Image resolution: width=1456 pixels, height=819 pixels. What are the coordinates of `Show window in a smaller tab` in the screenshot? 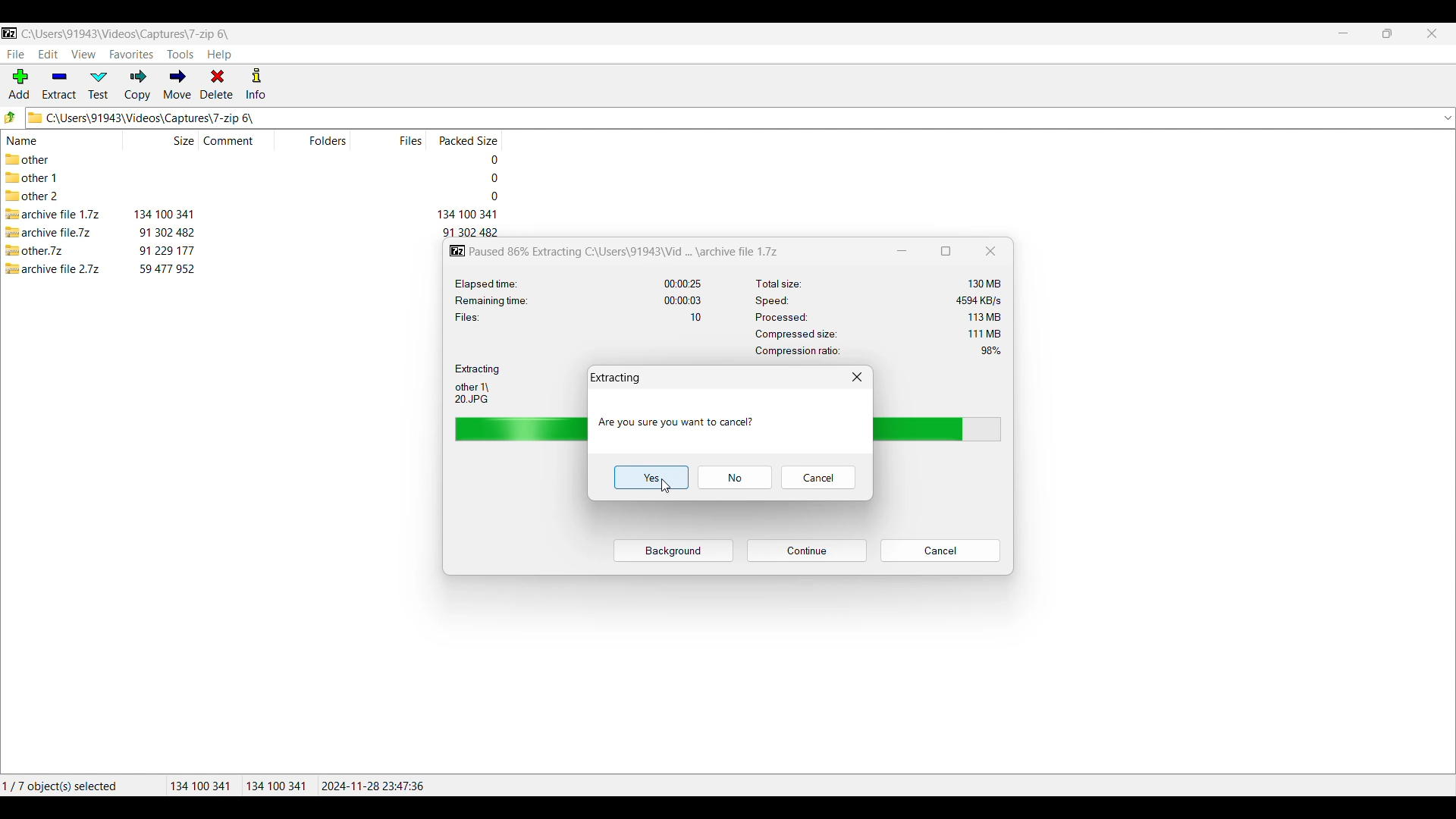 It's located at (946, 251).